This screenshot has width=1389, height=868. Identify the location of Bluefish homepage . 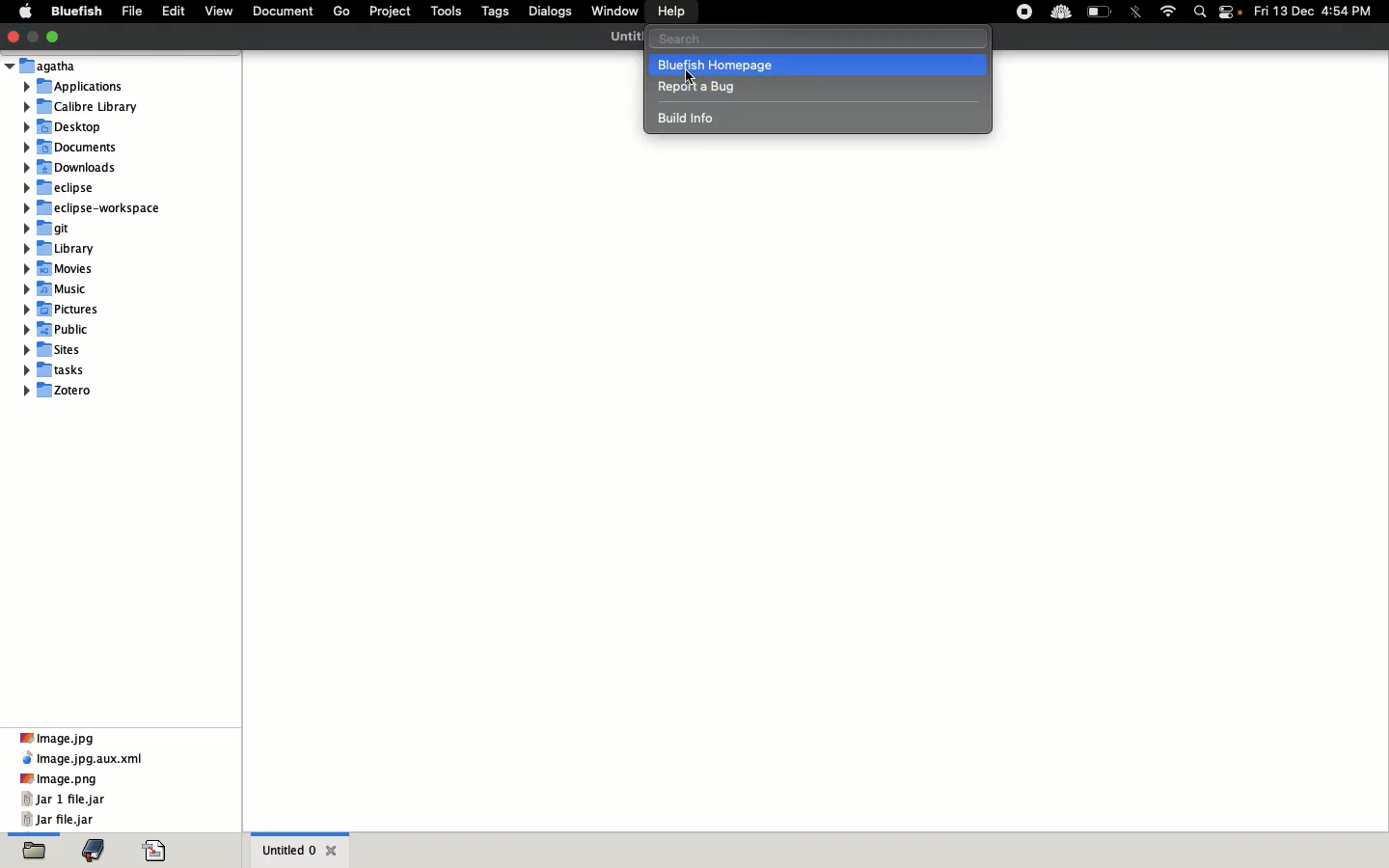
(817, 65).